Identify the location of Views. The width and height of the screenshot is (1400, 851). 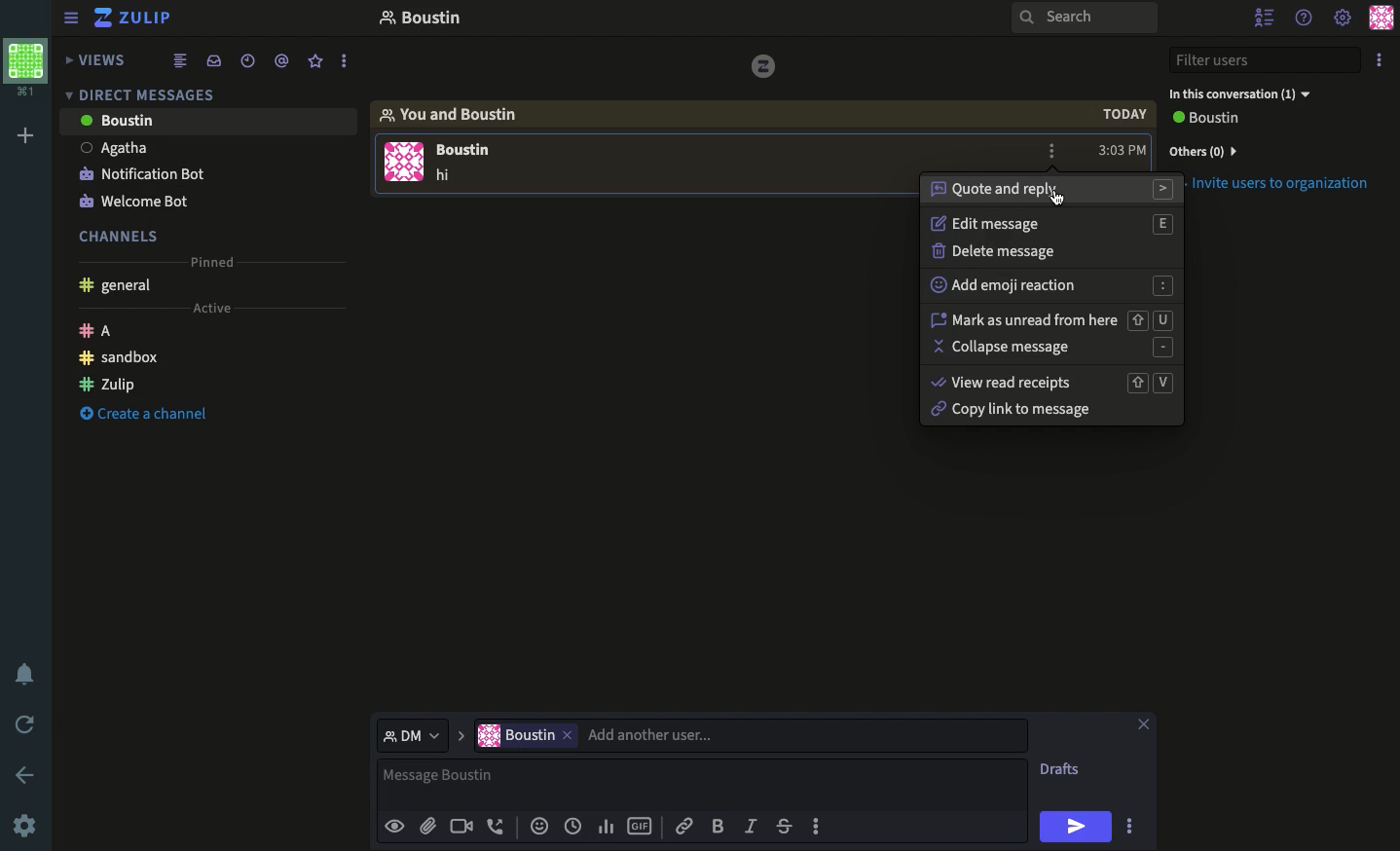
(100, 57).